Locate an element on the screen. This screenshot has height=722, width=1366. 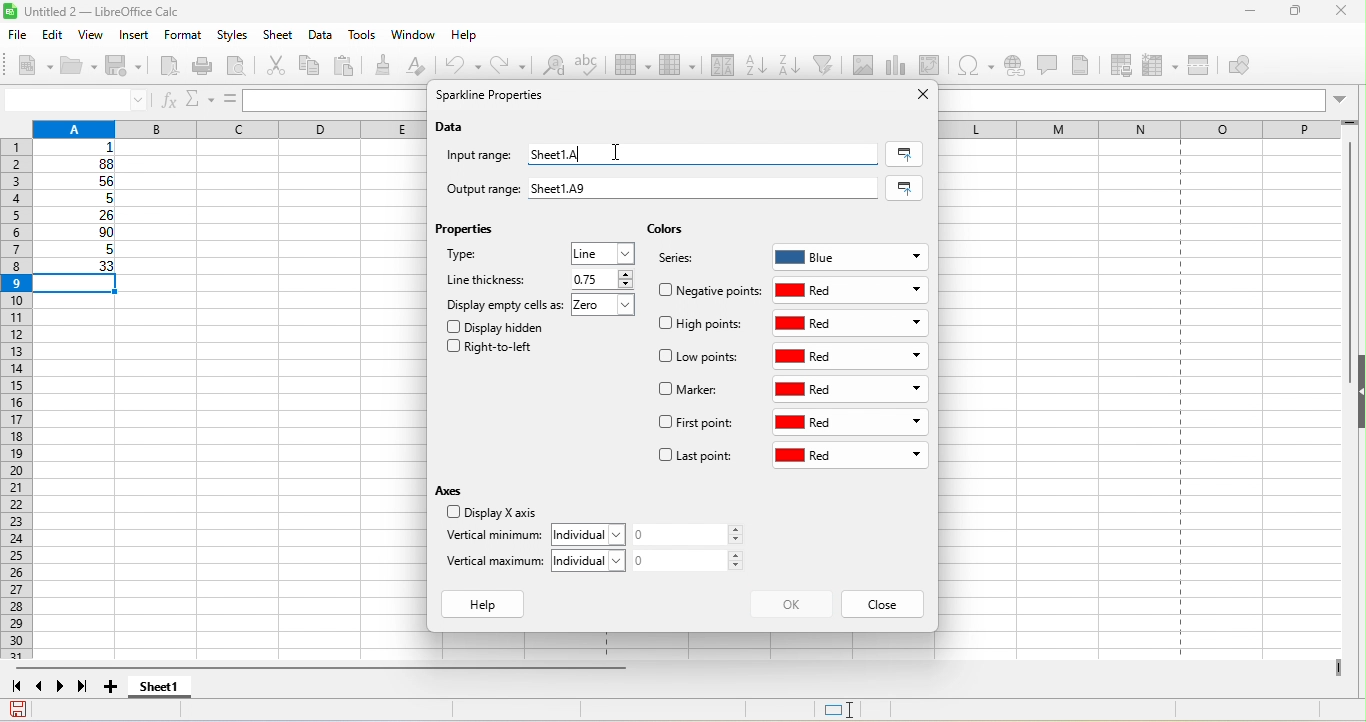
horizontal scroll bar is located at coordinates (327, 670).